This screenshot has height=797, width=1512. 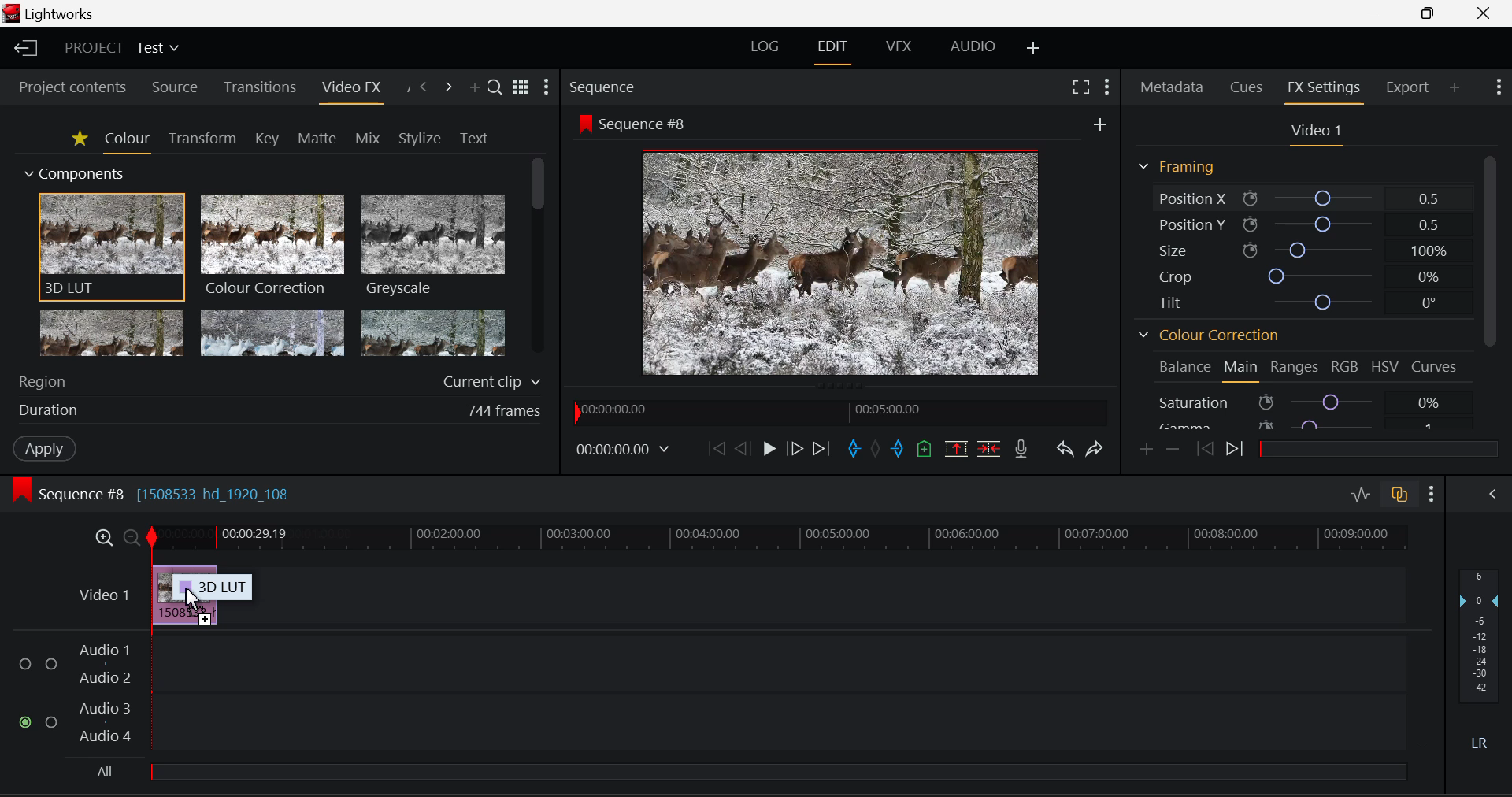 I want to click on Show Settings, so click(x=548, y=87).